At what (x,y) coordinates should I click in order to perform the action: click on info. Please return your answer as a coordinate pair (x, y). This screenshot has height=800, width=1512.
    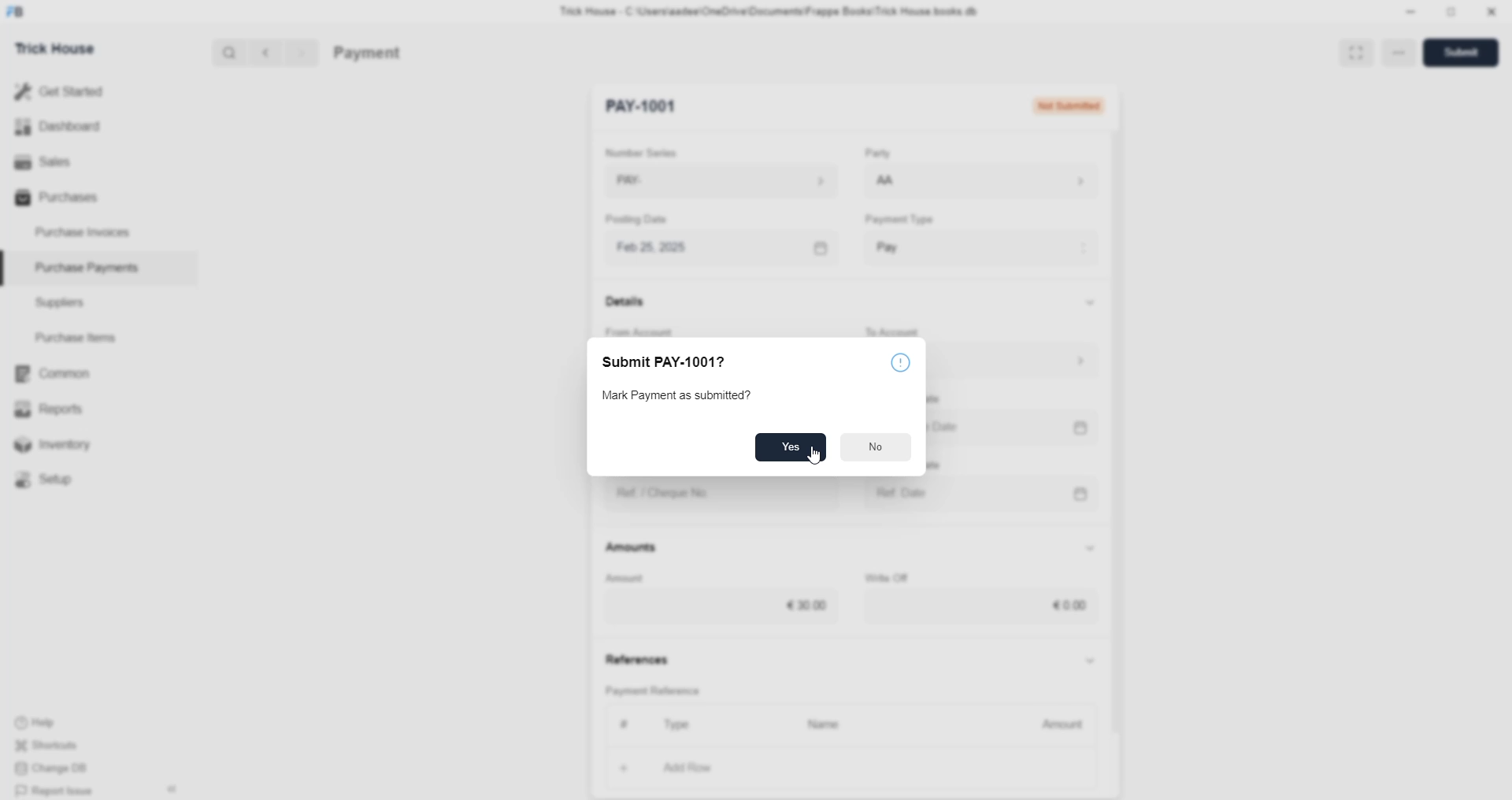
    Looking at the image, I should click on (905, 361).